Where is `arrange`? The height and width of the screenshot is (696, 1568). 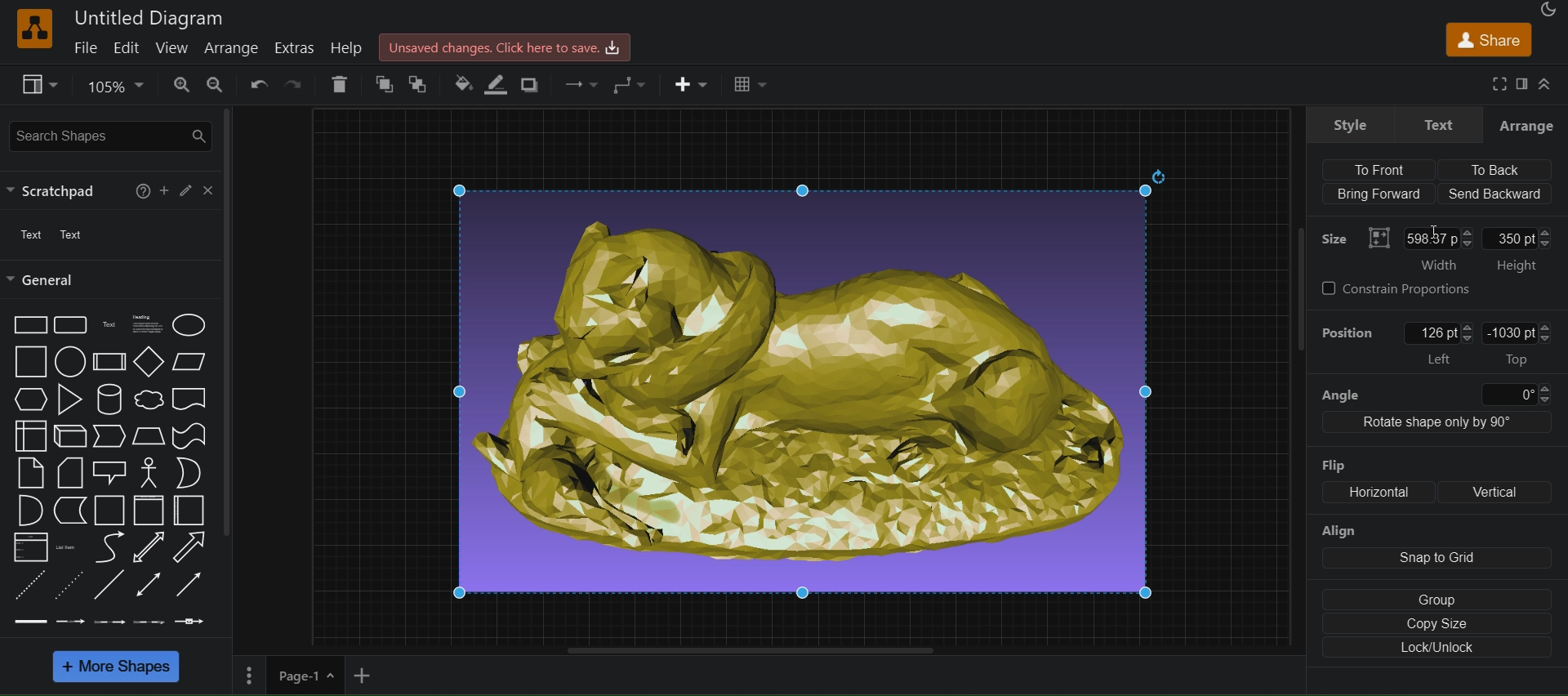
arrange is located at coordinates (1521, 126).